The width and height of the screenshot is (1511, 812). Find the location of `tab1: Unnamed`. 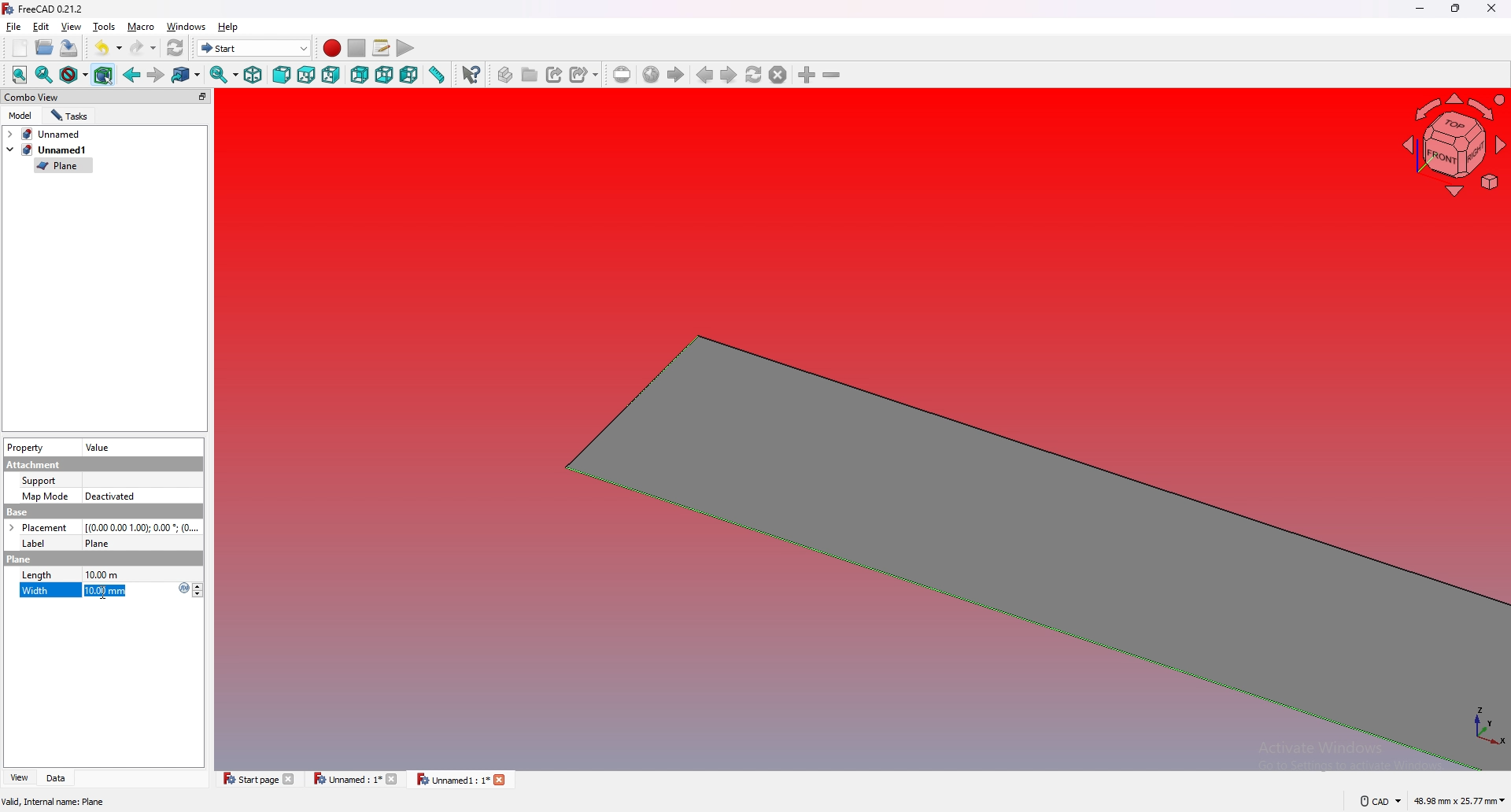

tab1: Unnamed is located at coordinates (49, 134).